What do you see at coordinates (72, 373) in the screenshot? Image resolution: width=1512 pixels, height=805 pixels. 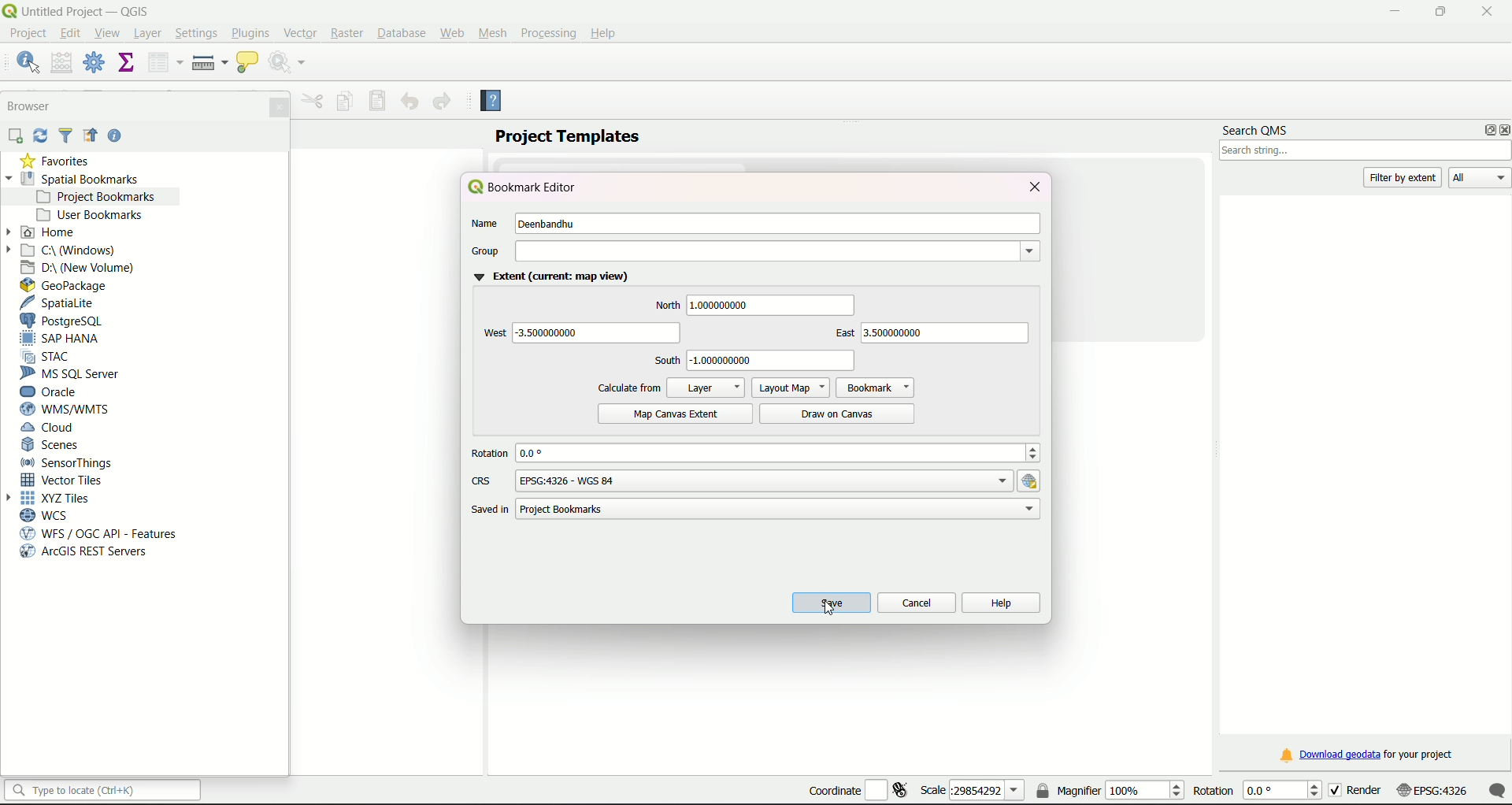 I see `MS SQL Server` at bounding box center [72, 373].